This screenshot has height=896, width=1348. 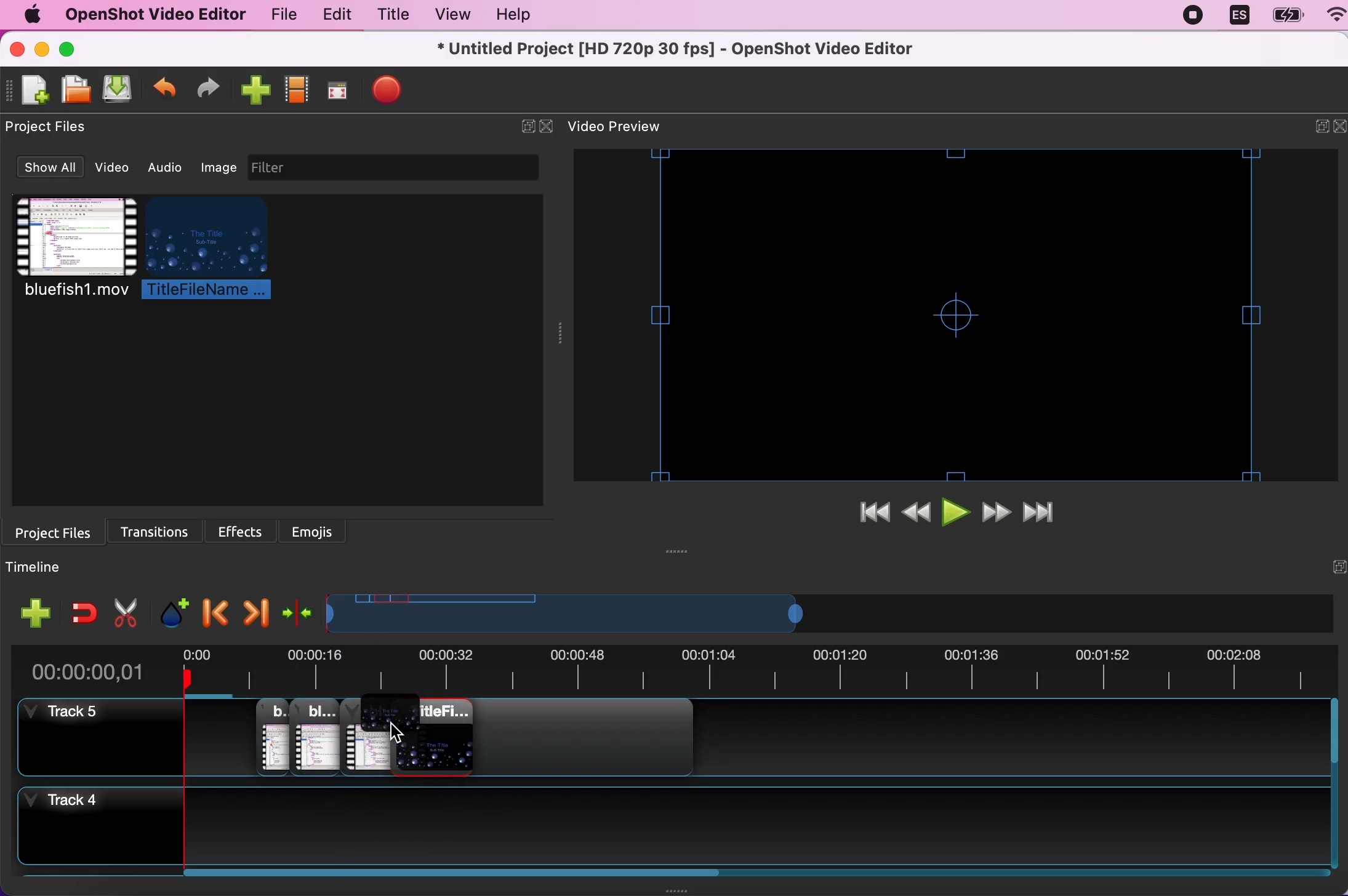 I want to click on jump to end, so click(x=1046, y=514).